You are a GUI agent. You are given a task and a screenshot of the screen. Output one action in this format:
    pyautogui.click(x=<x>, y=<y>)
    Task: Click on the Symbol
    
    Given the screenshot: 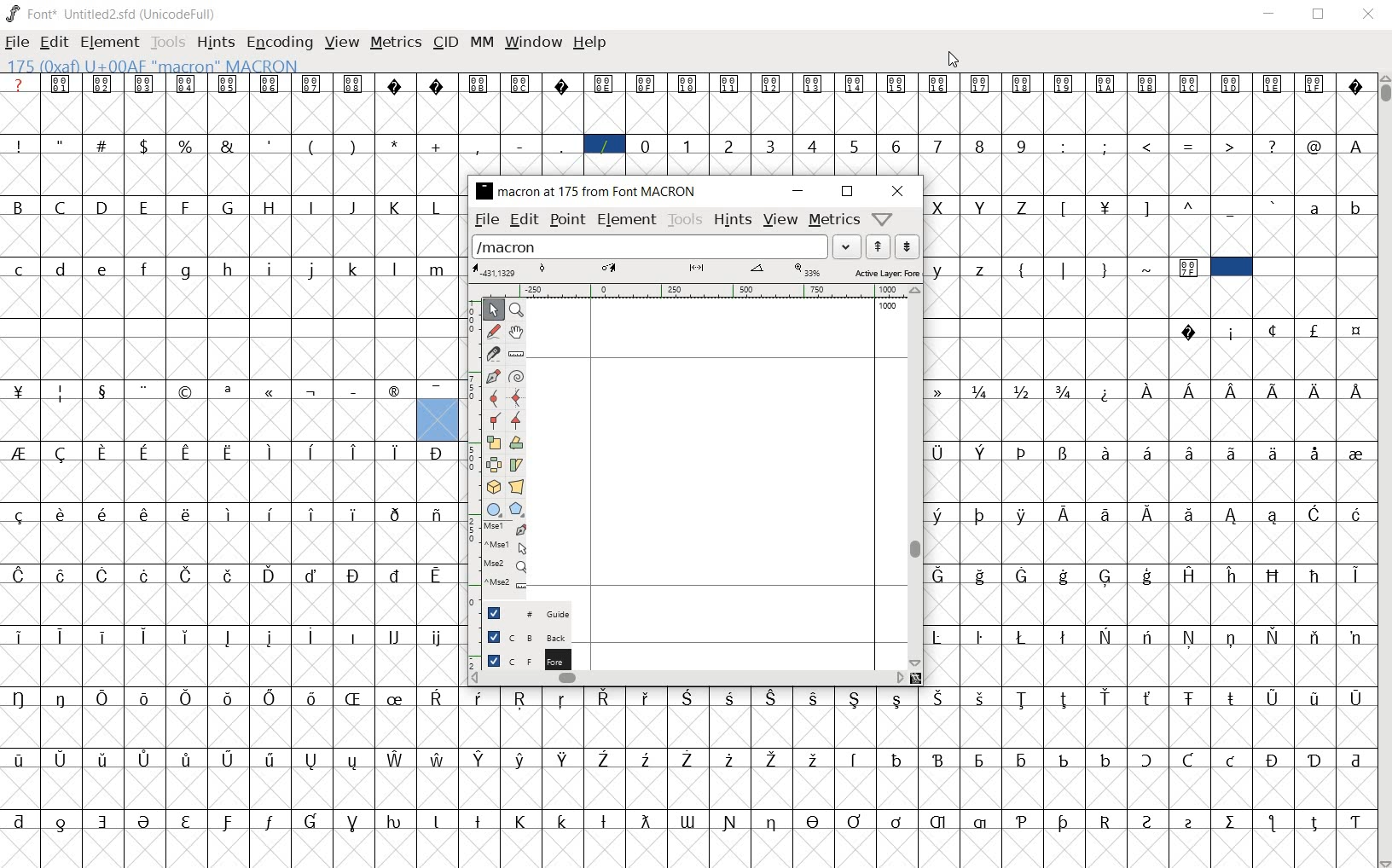 What is the action you would take?
    pyautogui.click(x=107, y=514)
    